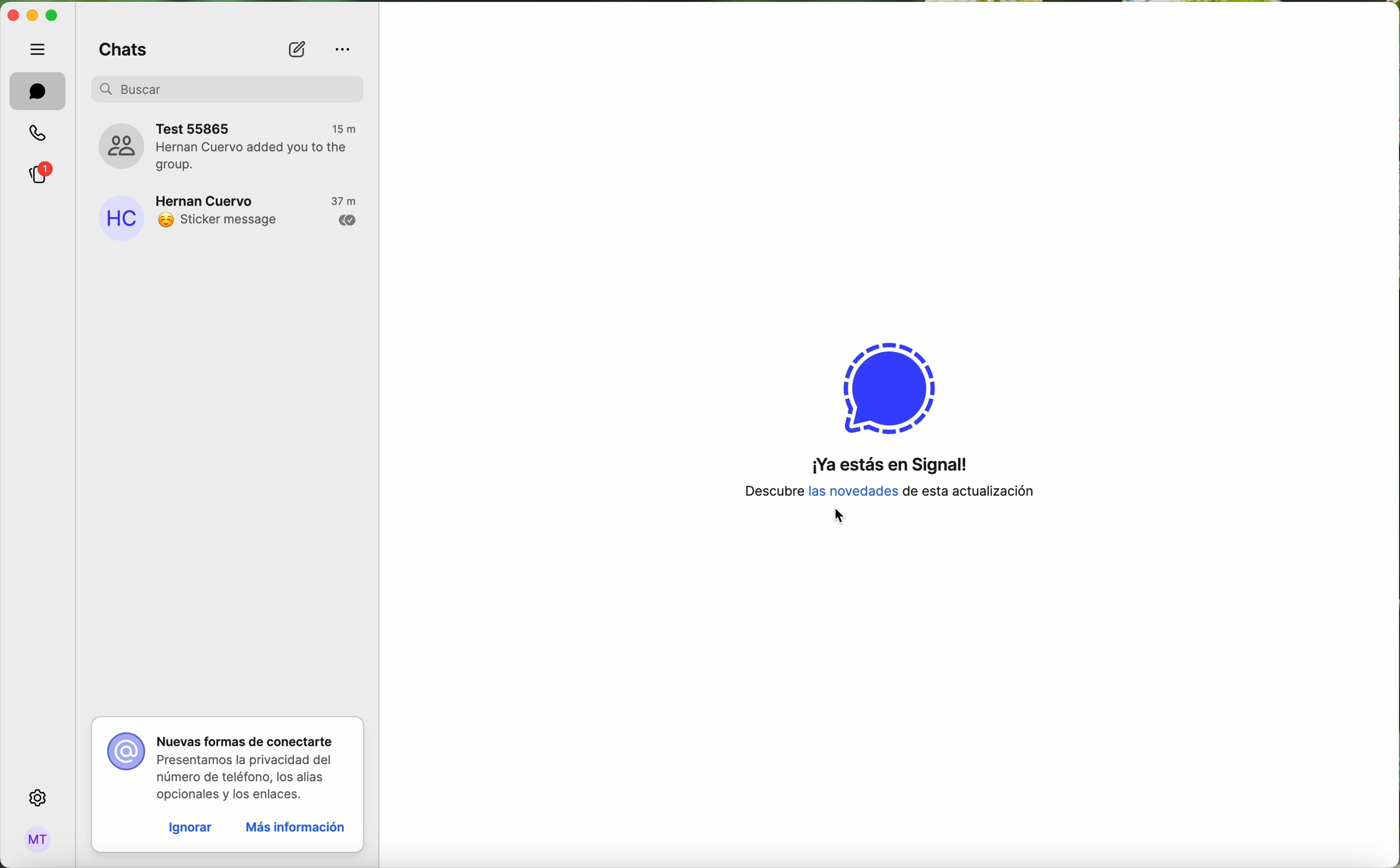 The height and width of the screenshot is (868, 1400). What do you see at coordinates (36, 840) in the screenshot?
I see `admin logo` at bounding box center [36, 840].